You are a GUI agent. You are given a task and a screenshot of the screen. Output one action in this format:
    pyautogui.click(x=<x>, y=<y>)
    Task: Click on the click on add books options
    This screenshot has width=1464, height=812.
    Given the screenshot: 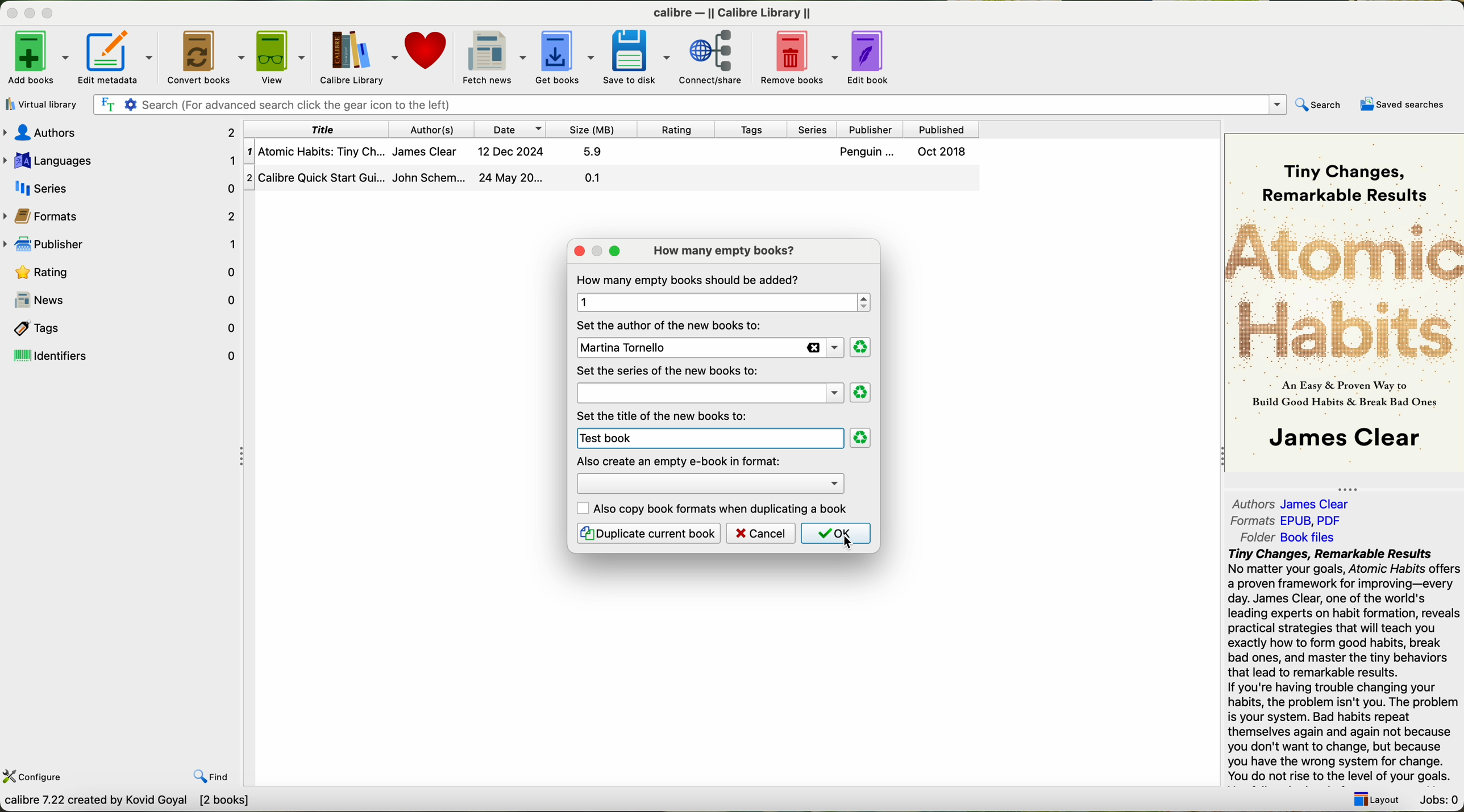 What is the action you would take?
    pyautogui.click(x=38, y=57)
    